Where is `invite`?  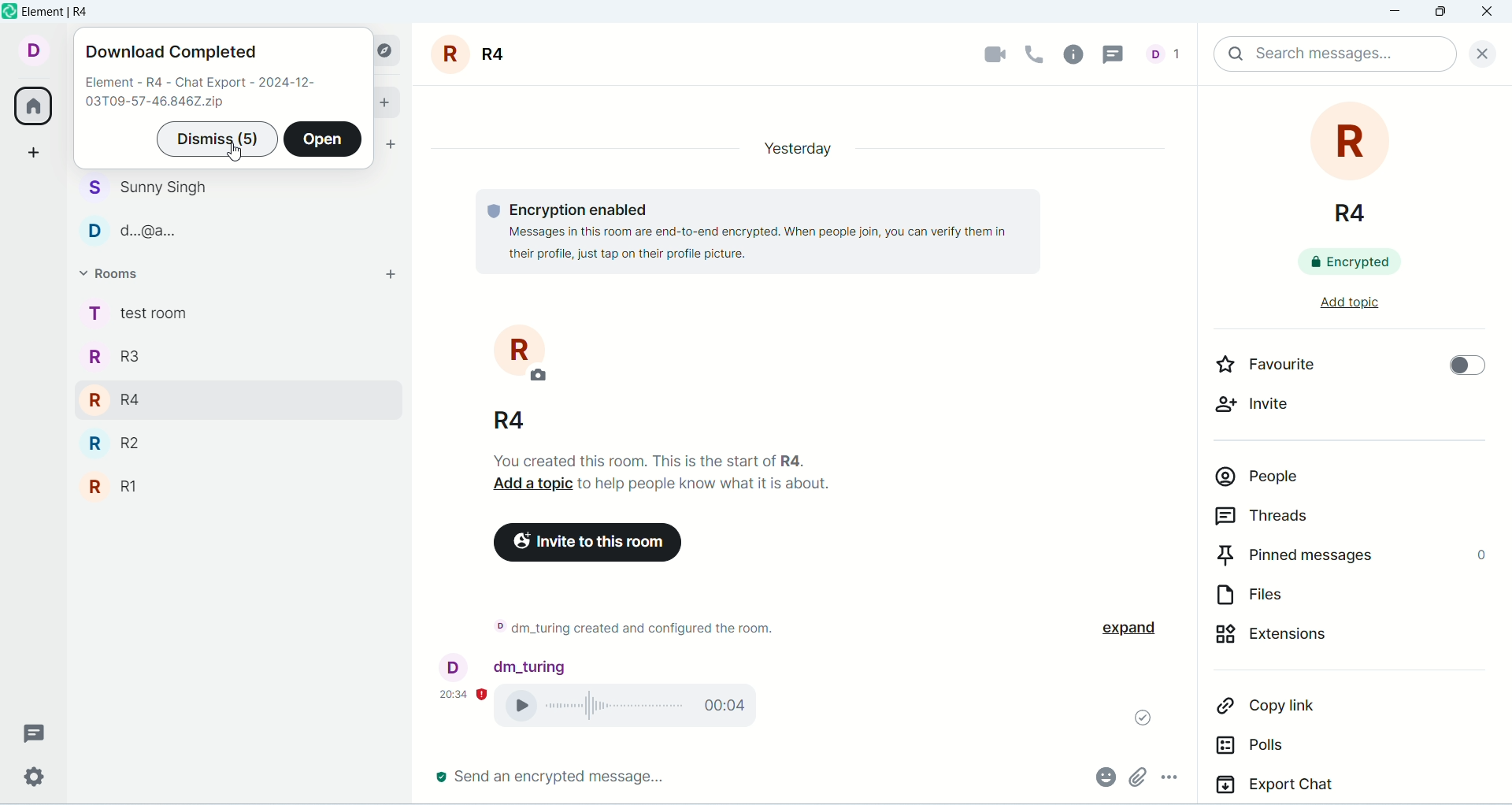
invite is located at coordinates (1265, 412).